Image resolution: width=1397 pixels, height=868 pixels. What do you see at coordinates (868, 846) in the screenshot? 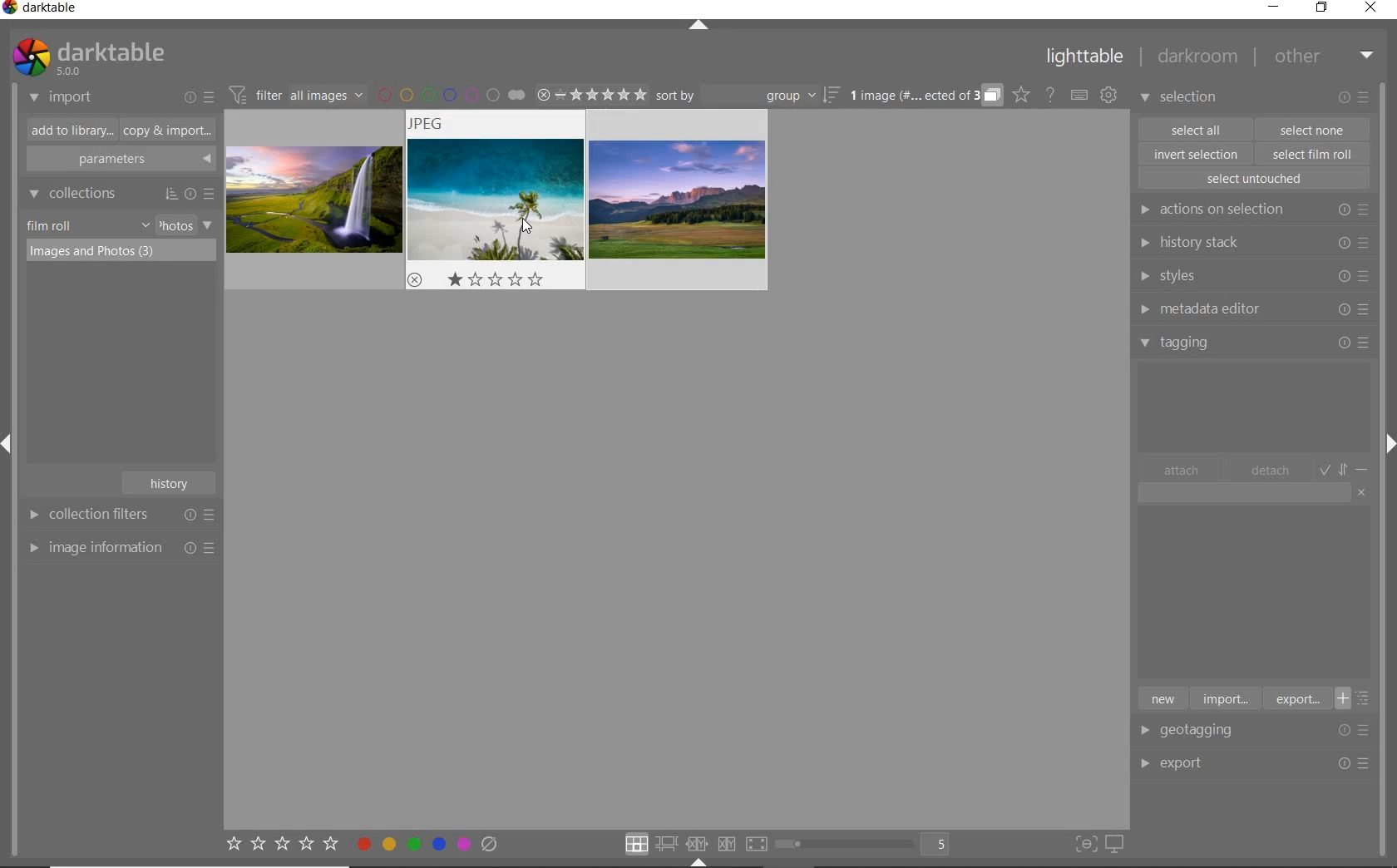
I see `toggle view` at bounding box center [868, 846].